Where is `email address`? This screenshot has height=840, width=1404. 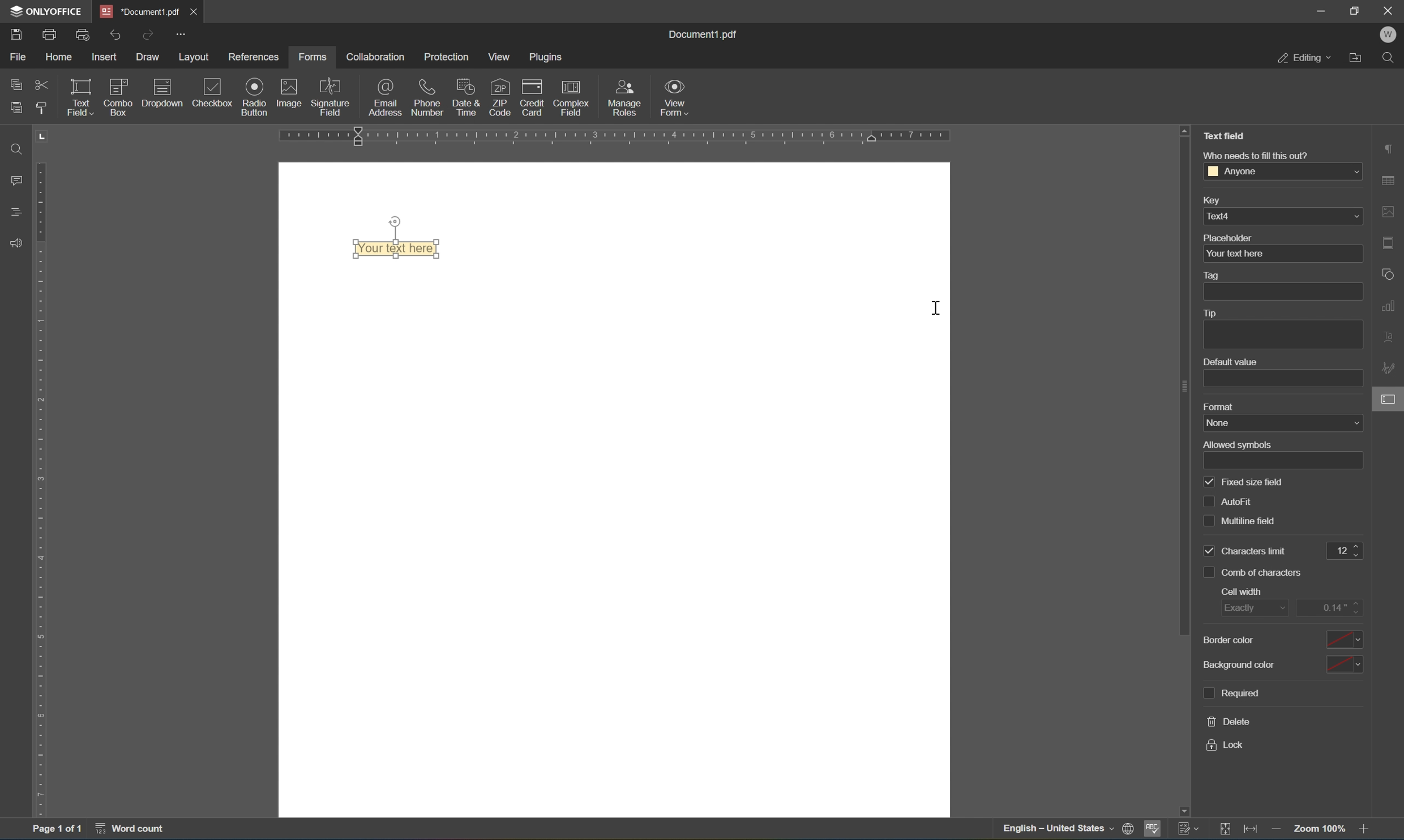
email address is located at coordinates (386, 97).